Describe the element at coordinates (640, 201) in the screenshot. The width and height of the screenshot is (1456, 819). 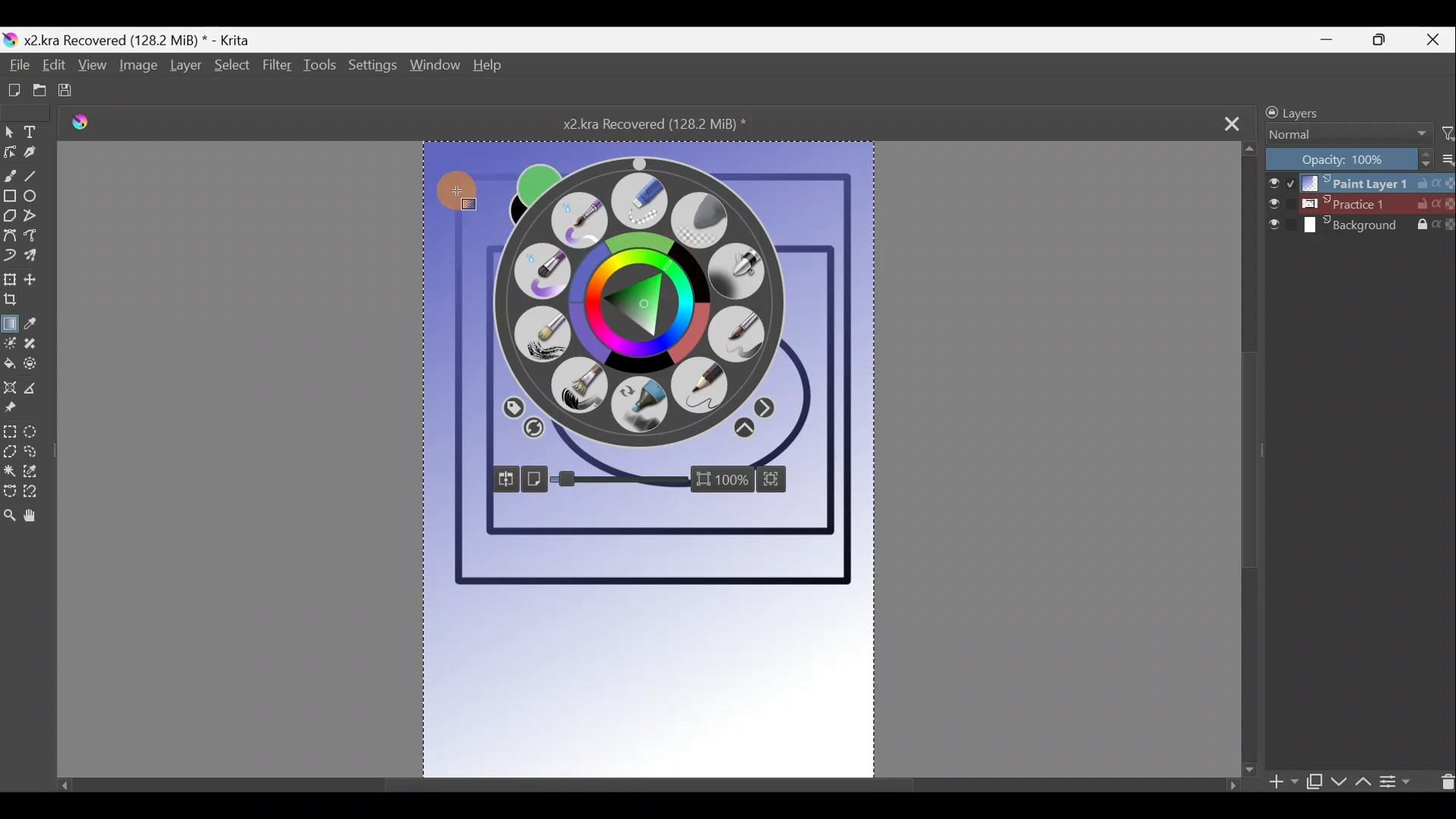
I see `Eraser small` at that location.